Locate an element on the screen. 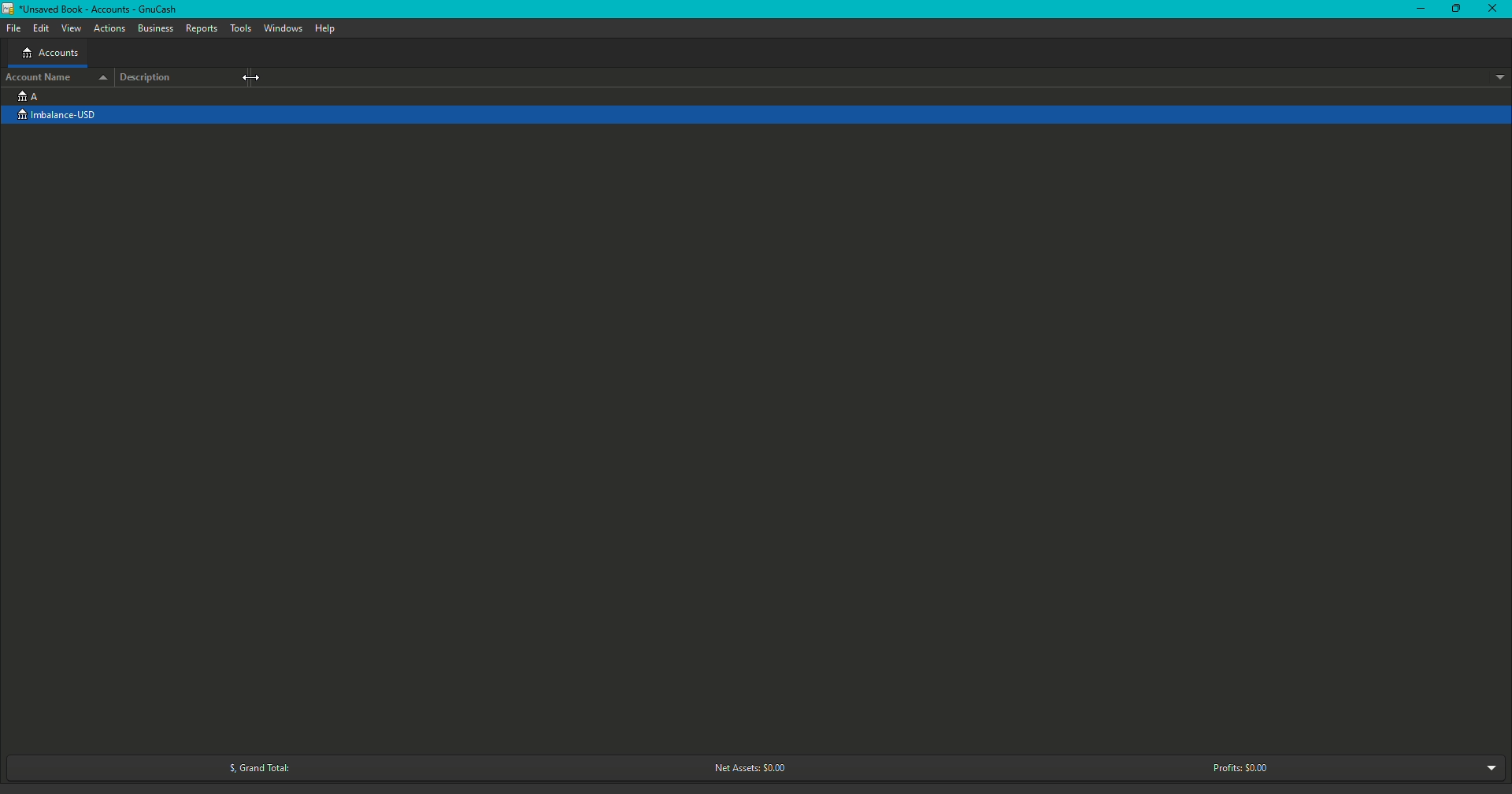  Tools is located at coordinates (243, 28).